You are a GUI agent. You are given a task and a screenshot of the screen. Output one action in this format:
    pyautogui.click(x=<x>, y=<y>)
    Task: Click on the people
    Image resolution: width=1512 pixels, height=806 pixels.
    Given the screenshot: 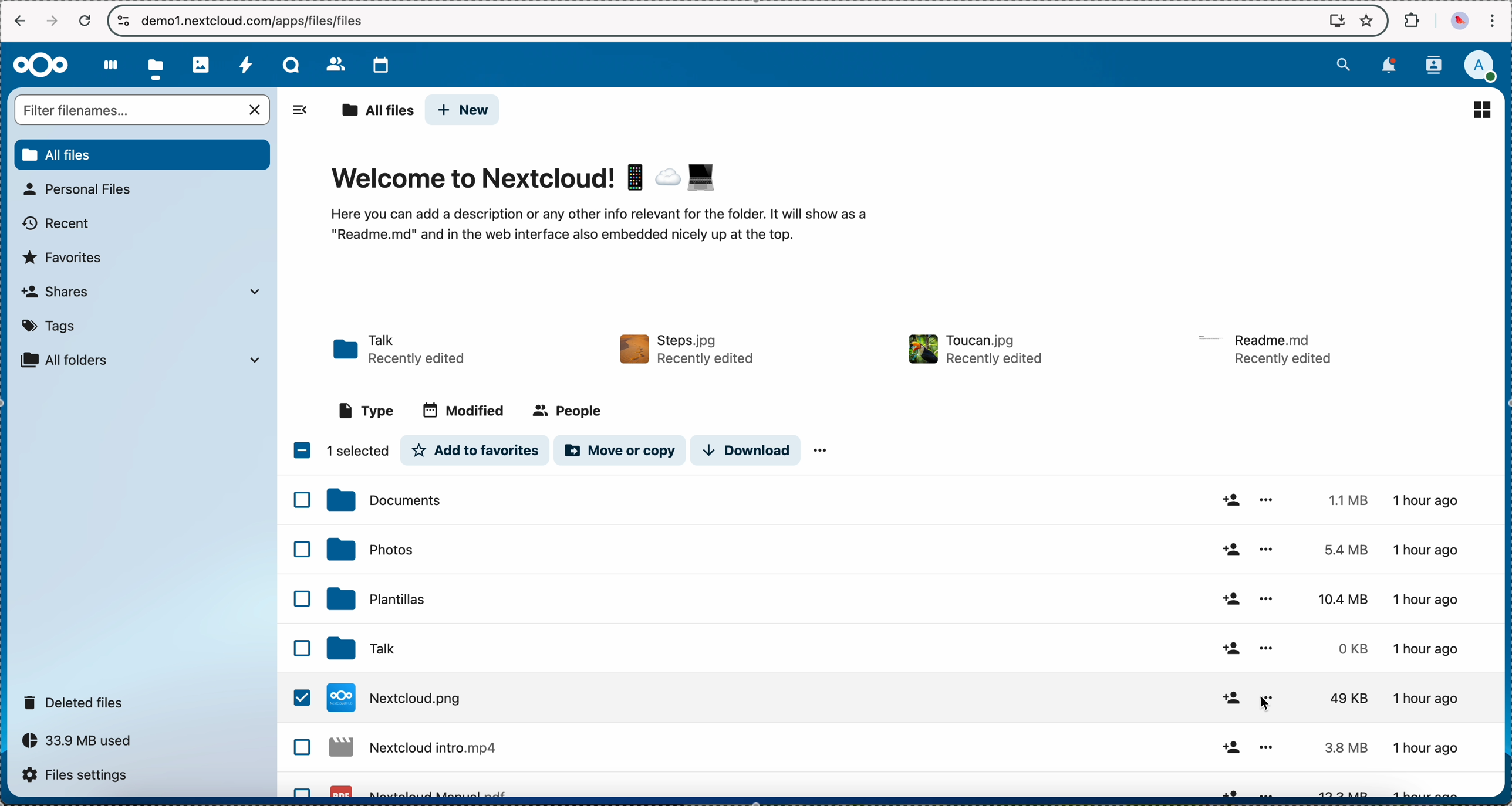 What is the action you would take?
    pyautogui.click(x=570, y=410)
    